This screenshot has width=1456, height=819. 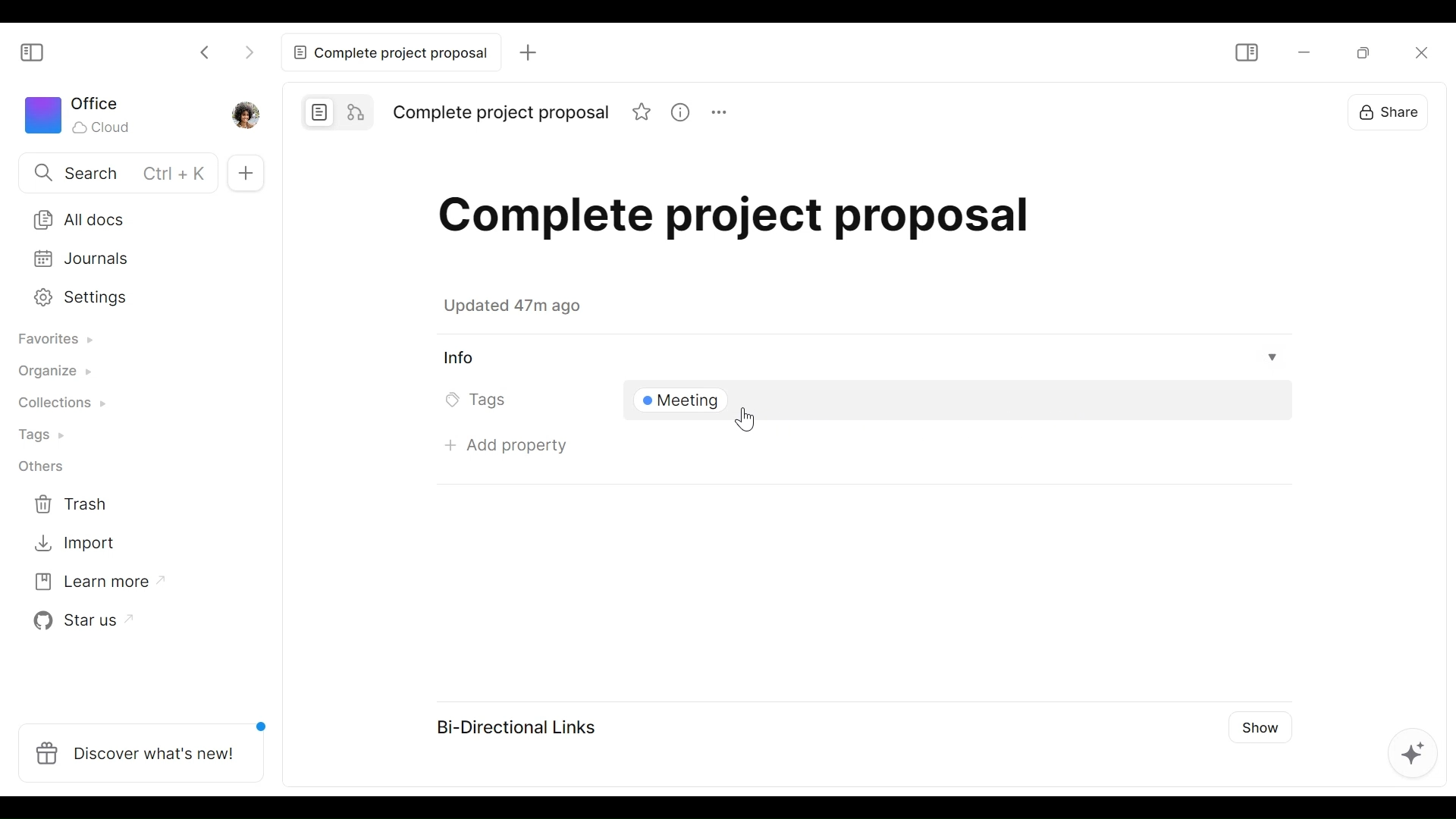 I want to click on minimize, so click(x=1302, y=52).